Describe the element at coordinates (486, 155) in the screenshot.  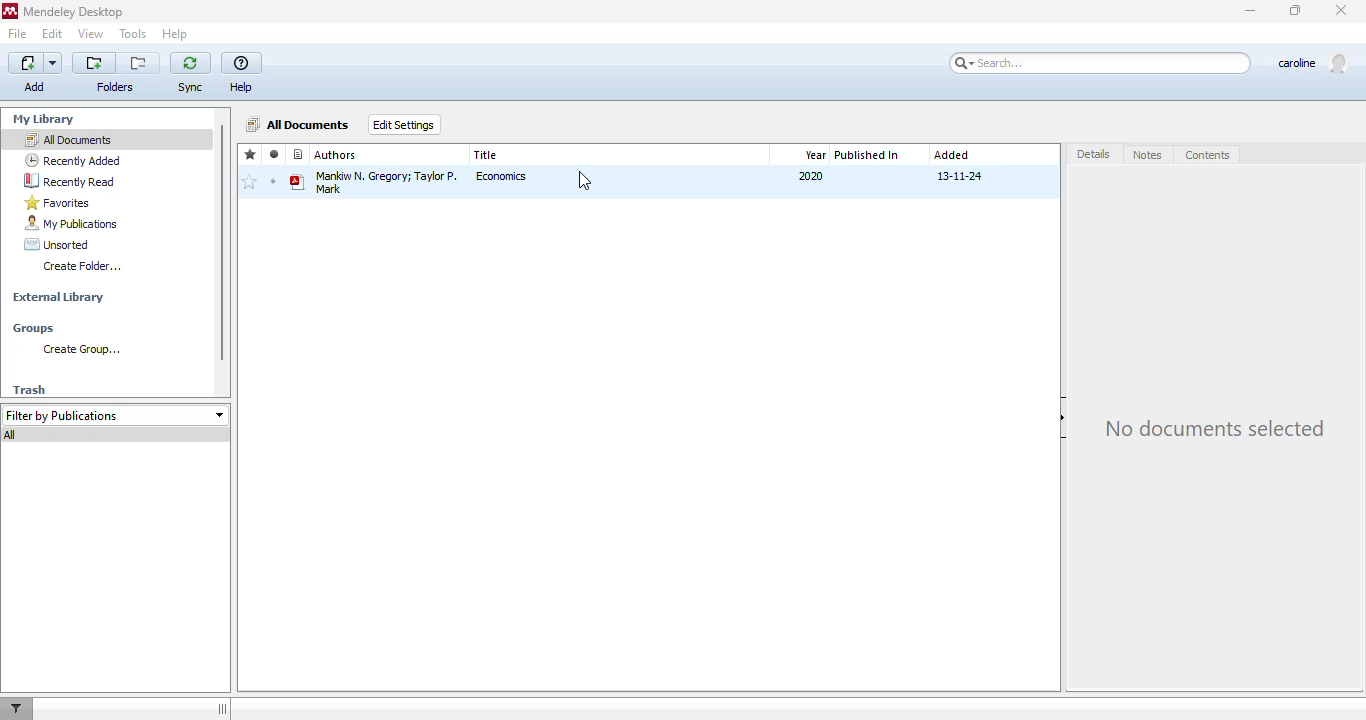
I see `title` at that location.